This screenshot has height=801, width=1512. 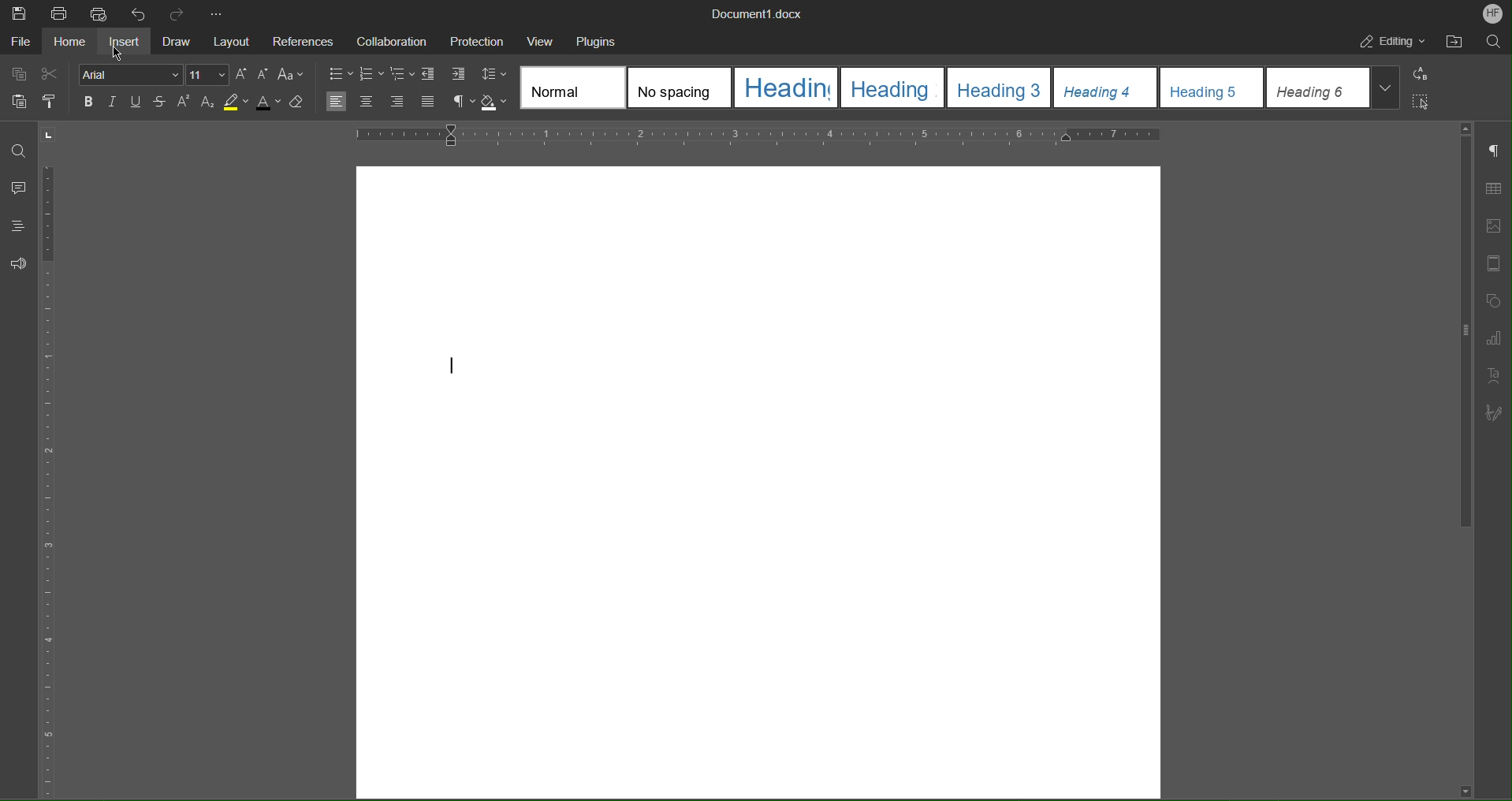 I want to click on Header/Footer, so click(x=1493, y=263).